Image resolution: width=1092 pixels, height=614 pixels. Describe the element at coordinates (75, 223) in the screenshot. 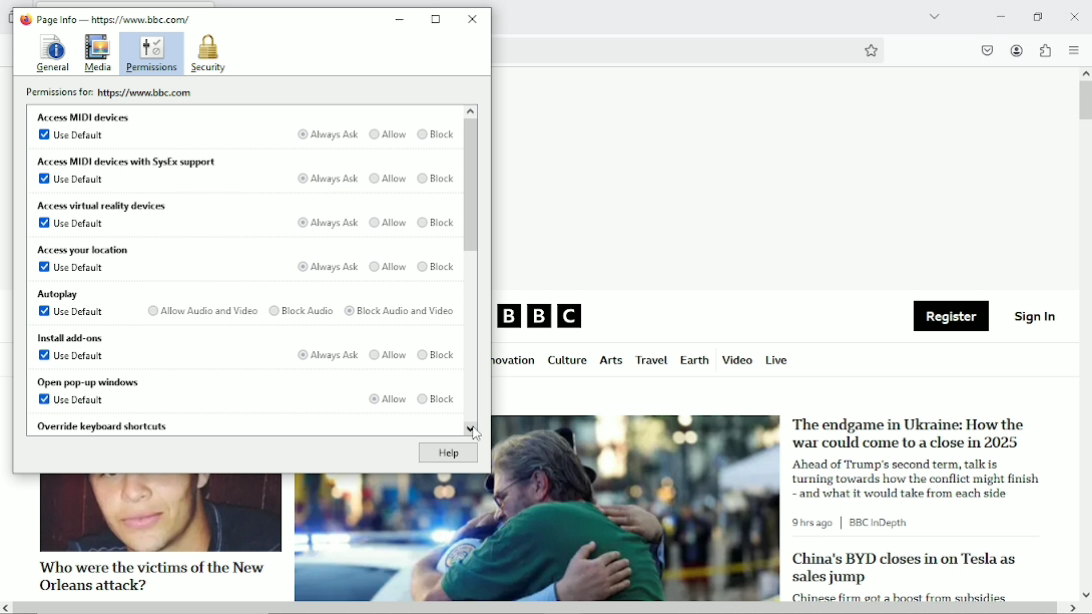

I see `Use default` at that location.